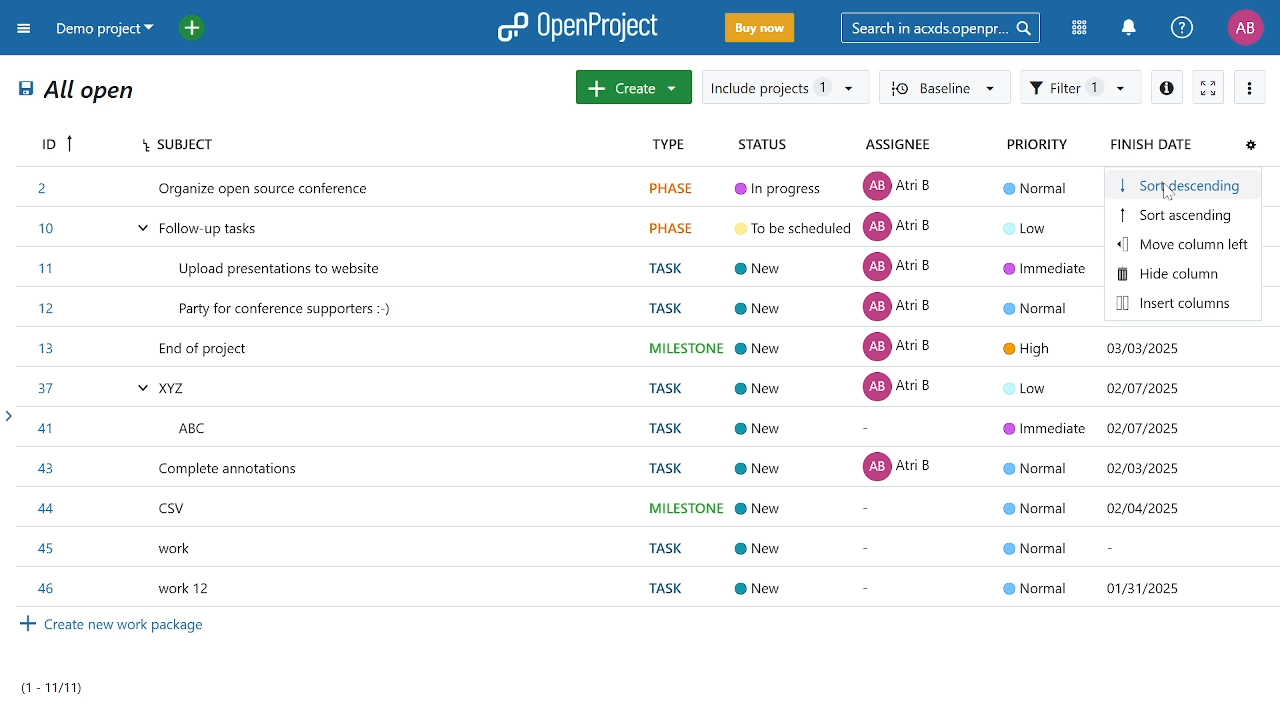 This screenshot has width=1280, height=720. I want to click on current project, so click(103, 30).